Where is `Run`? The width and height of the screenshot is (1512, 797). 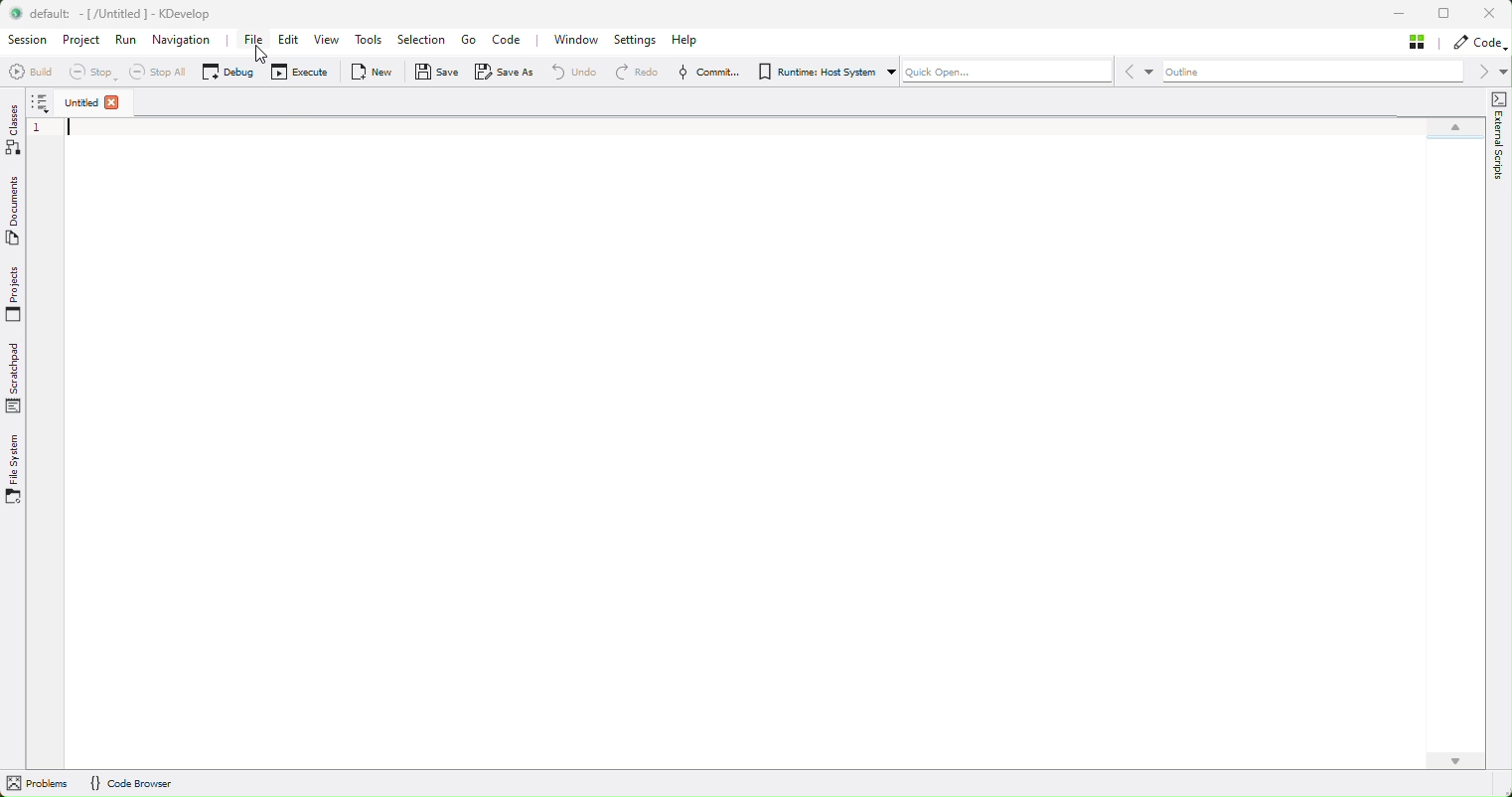 Run is located at coordinates (129, 40).